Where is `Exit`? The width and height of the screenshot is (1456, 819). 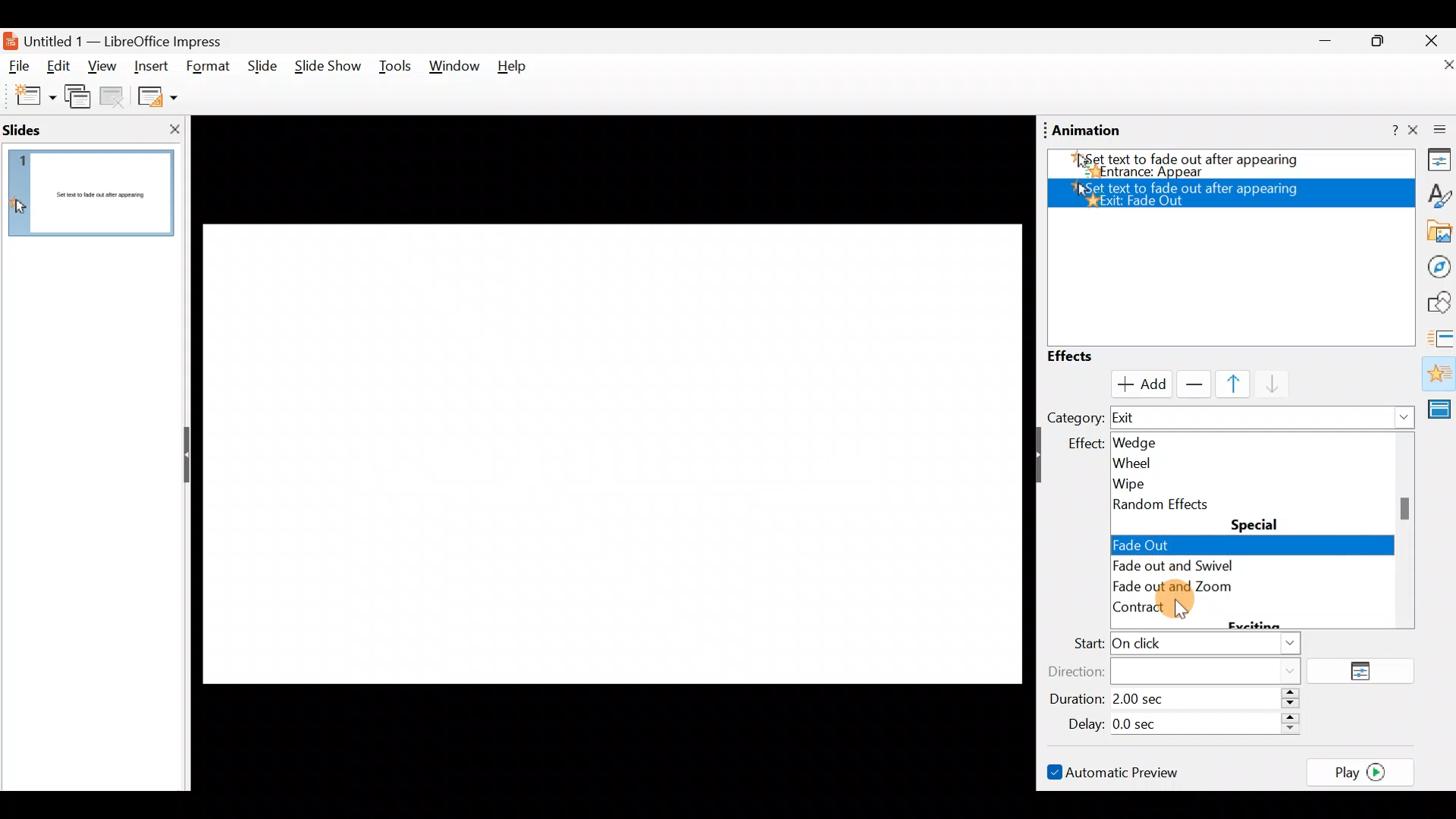 Exit is located at coordinates (1263, 419).